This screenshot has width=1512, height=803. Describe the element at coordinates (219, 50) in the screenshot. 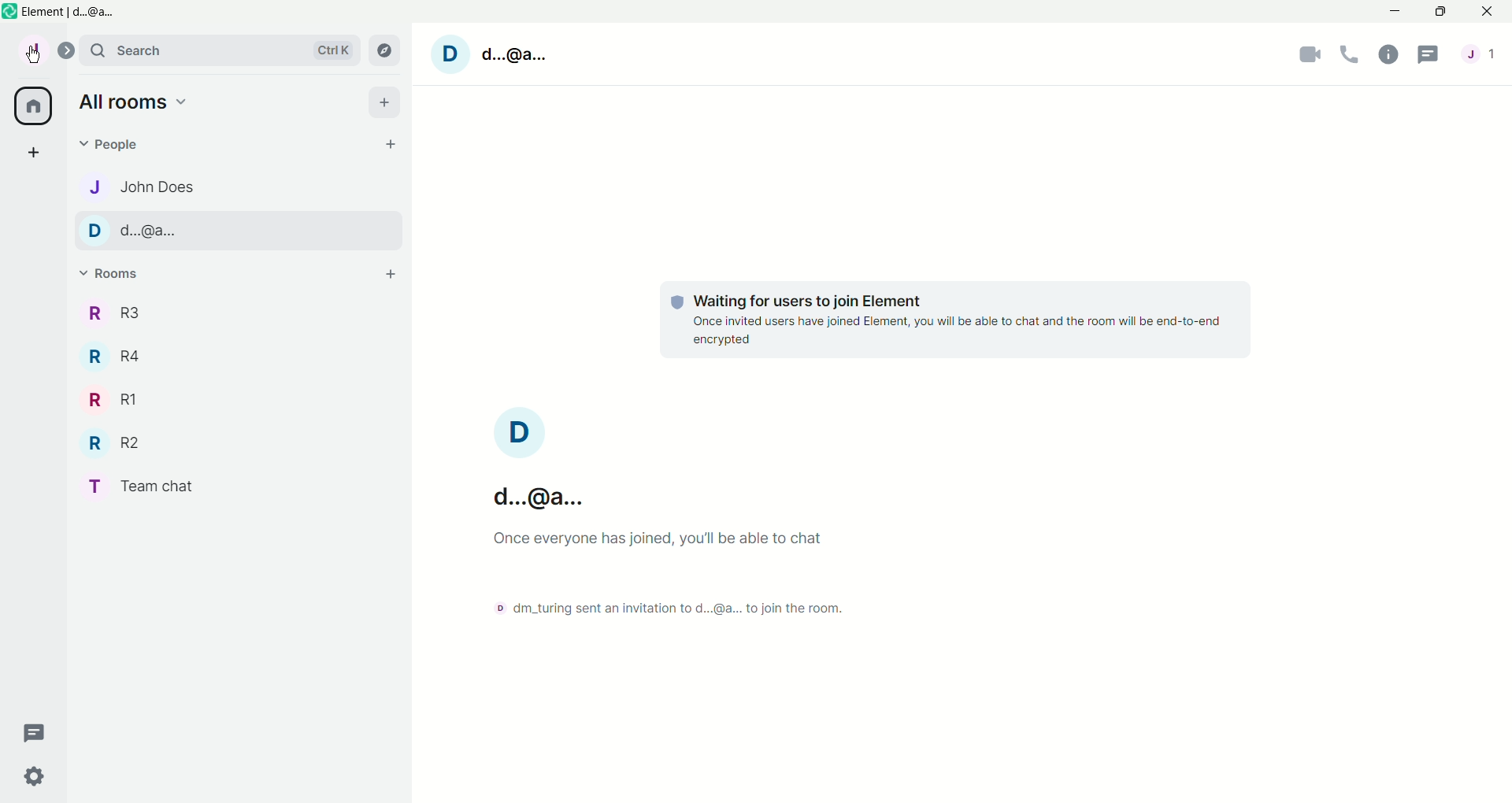

I see `Search bar` at that location.